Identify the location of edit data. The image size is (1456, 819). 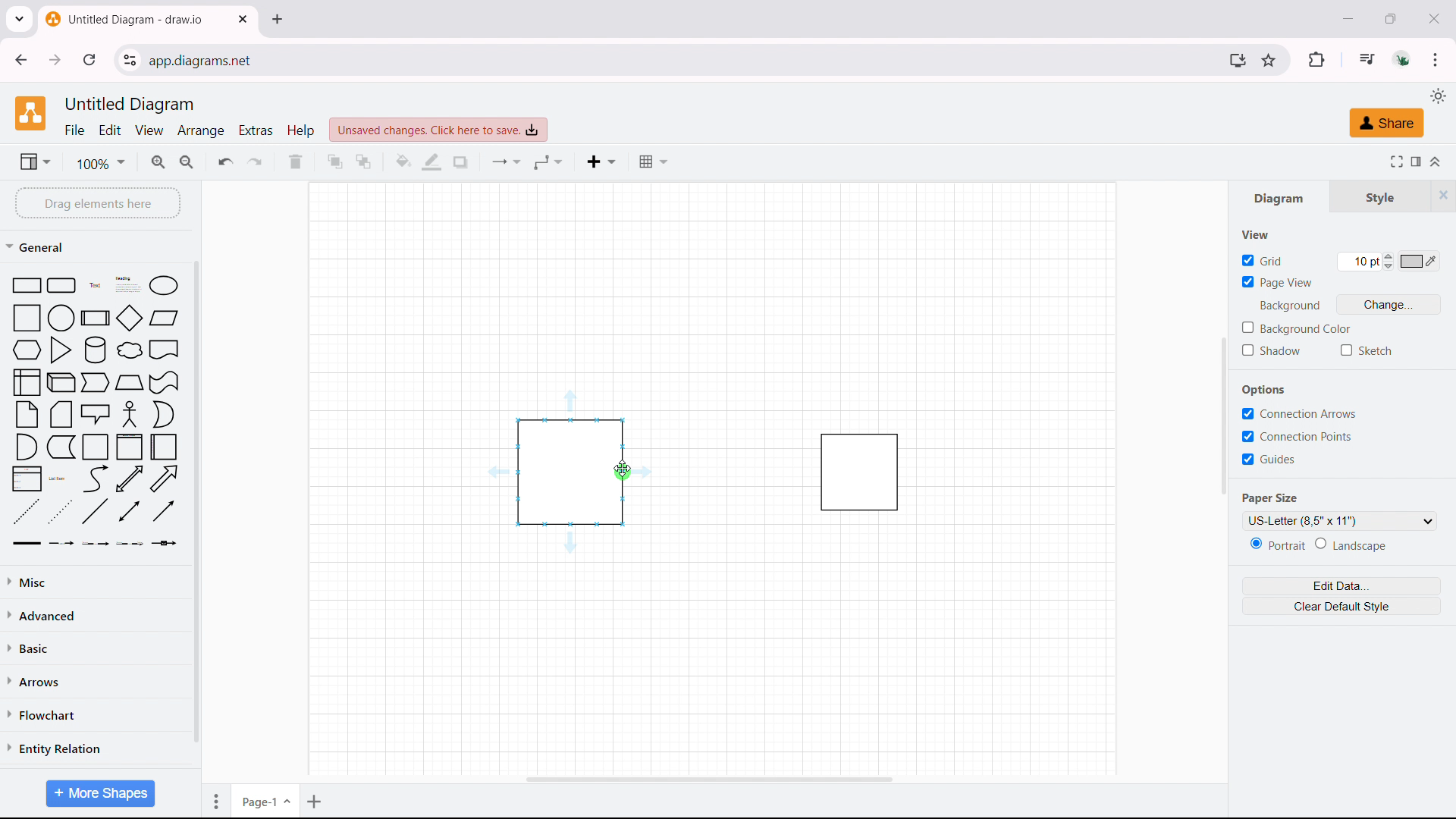
(1341, 586).